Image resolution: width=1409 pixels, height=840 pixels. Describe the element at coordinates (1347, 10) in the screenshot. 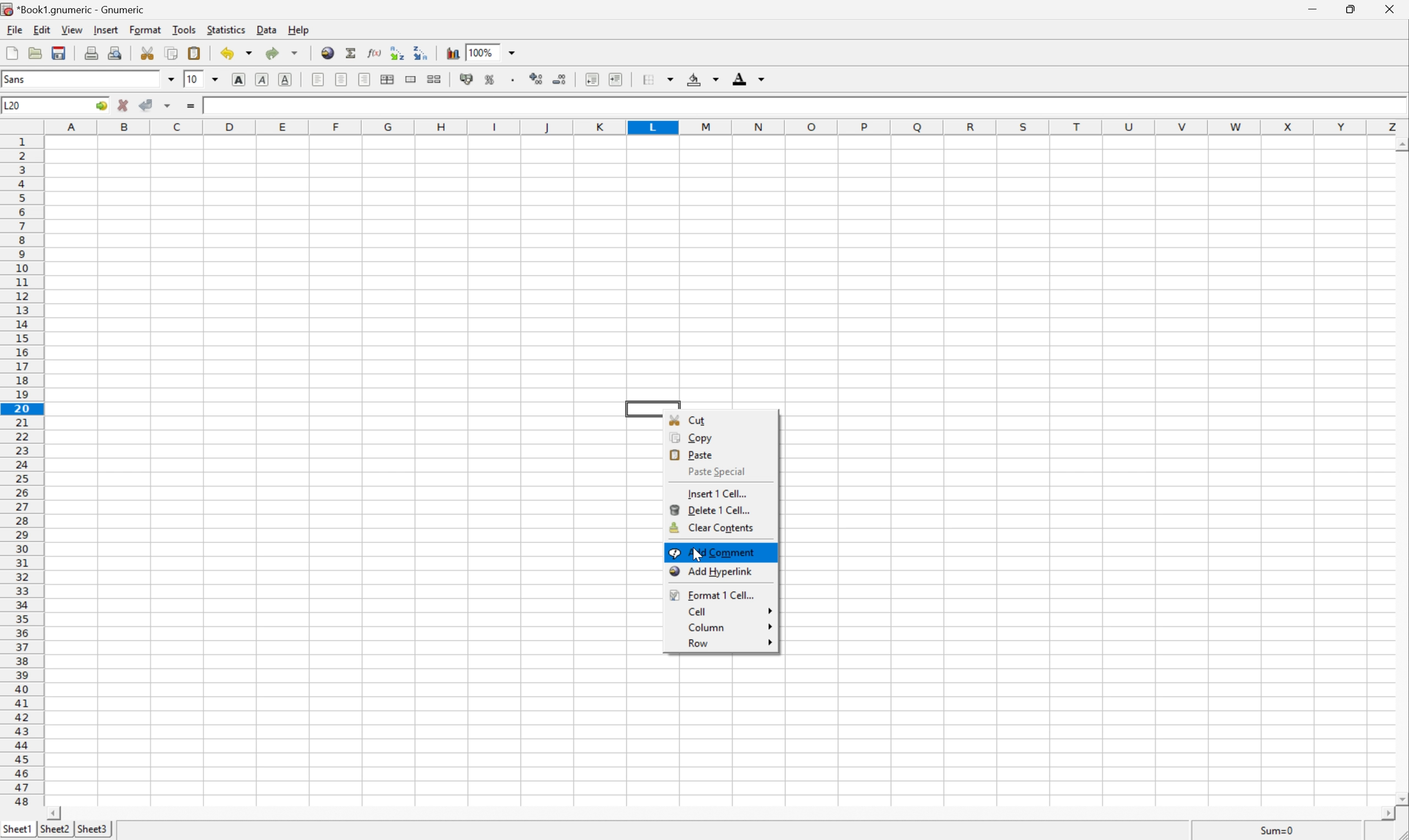

I see `Restore Down` at that location.